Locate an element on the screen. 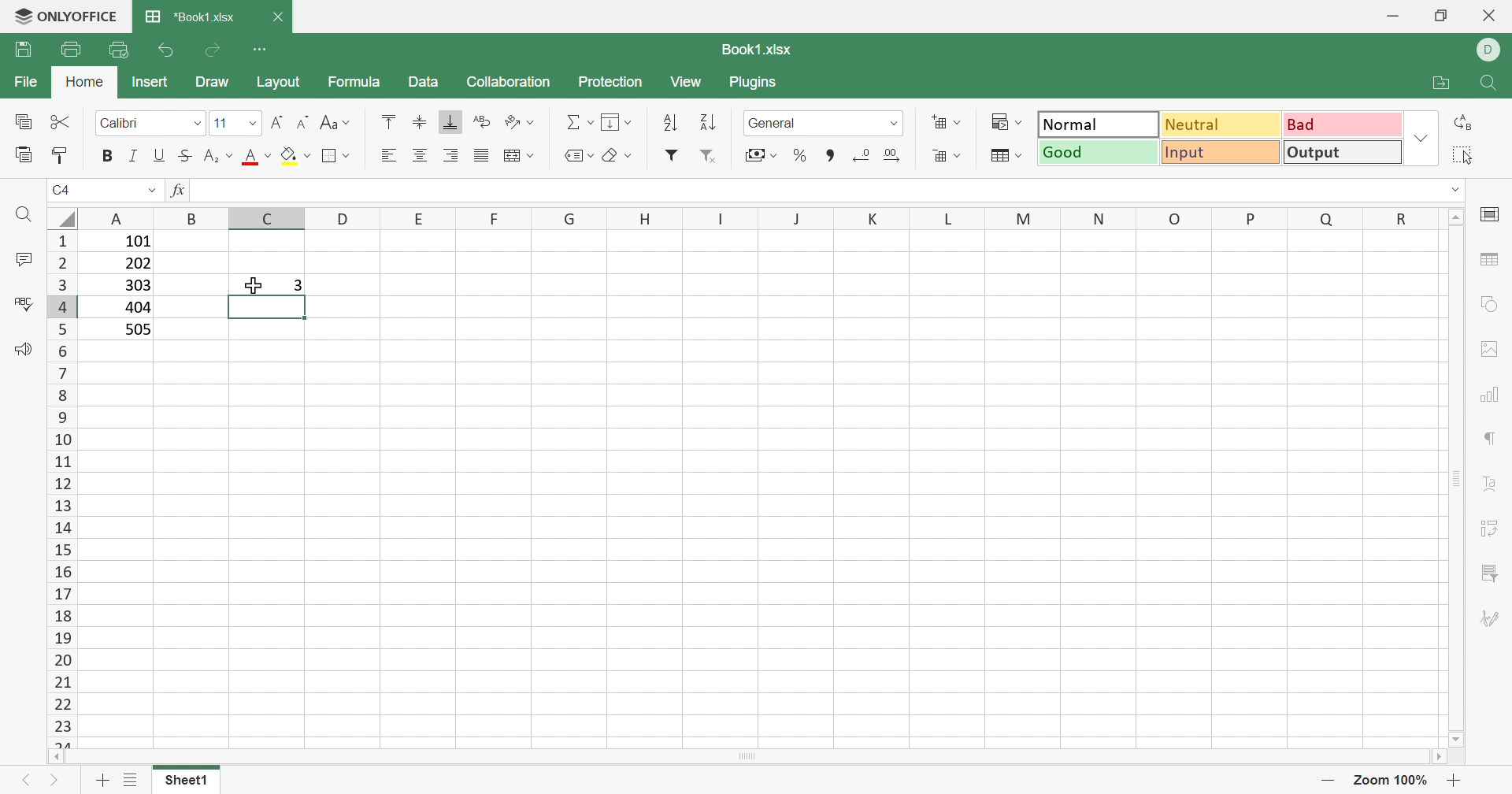  Drop Down is located at coordinates (250, 122).